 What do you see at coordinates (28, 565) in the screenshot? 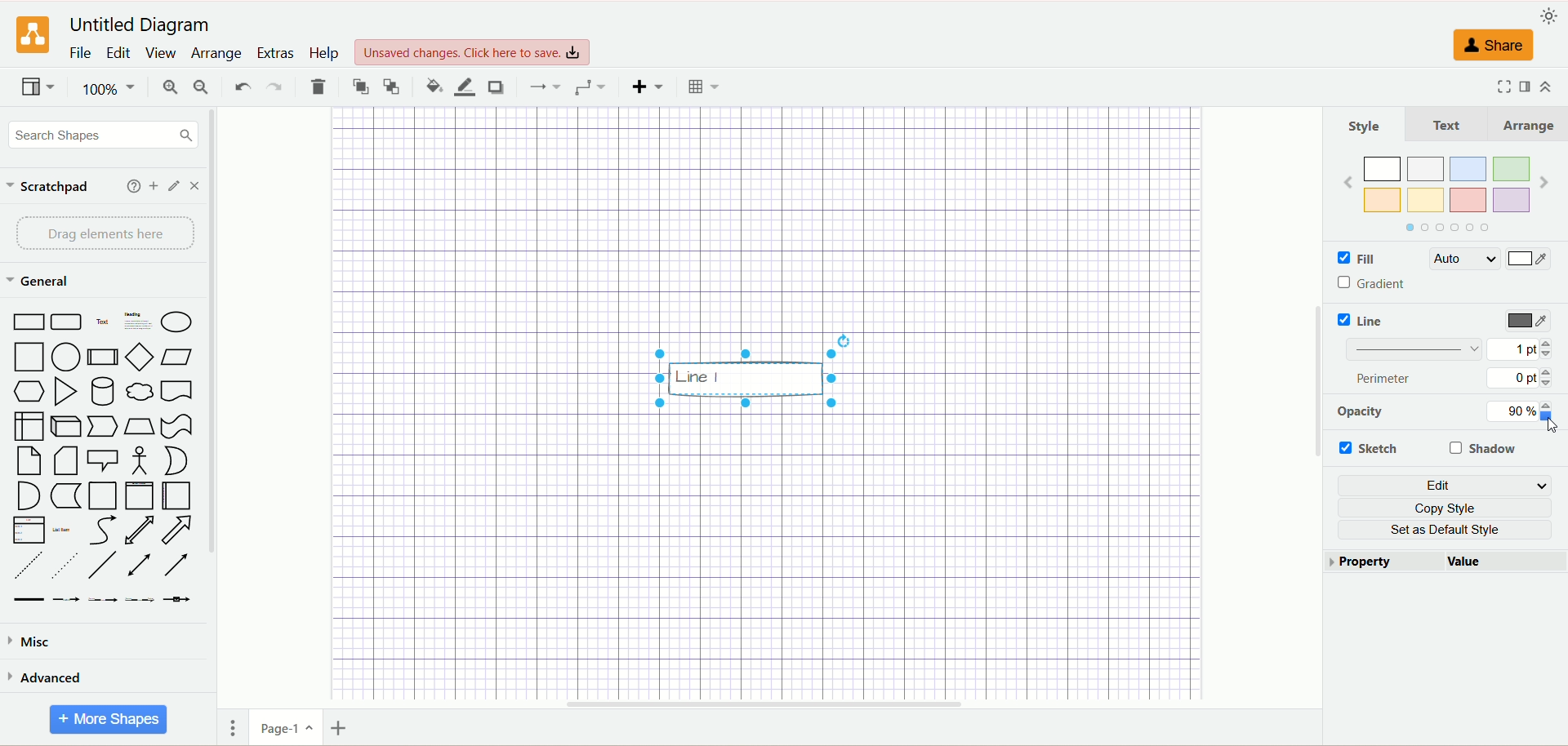
I see `Dashed Line` at bounding box center [28, 565].